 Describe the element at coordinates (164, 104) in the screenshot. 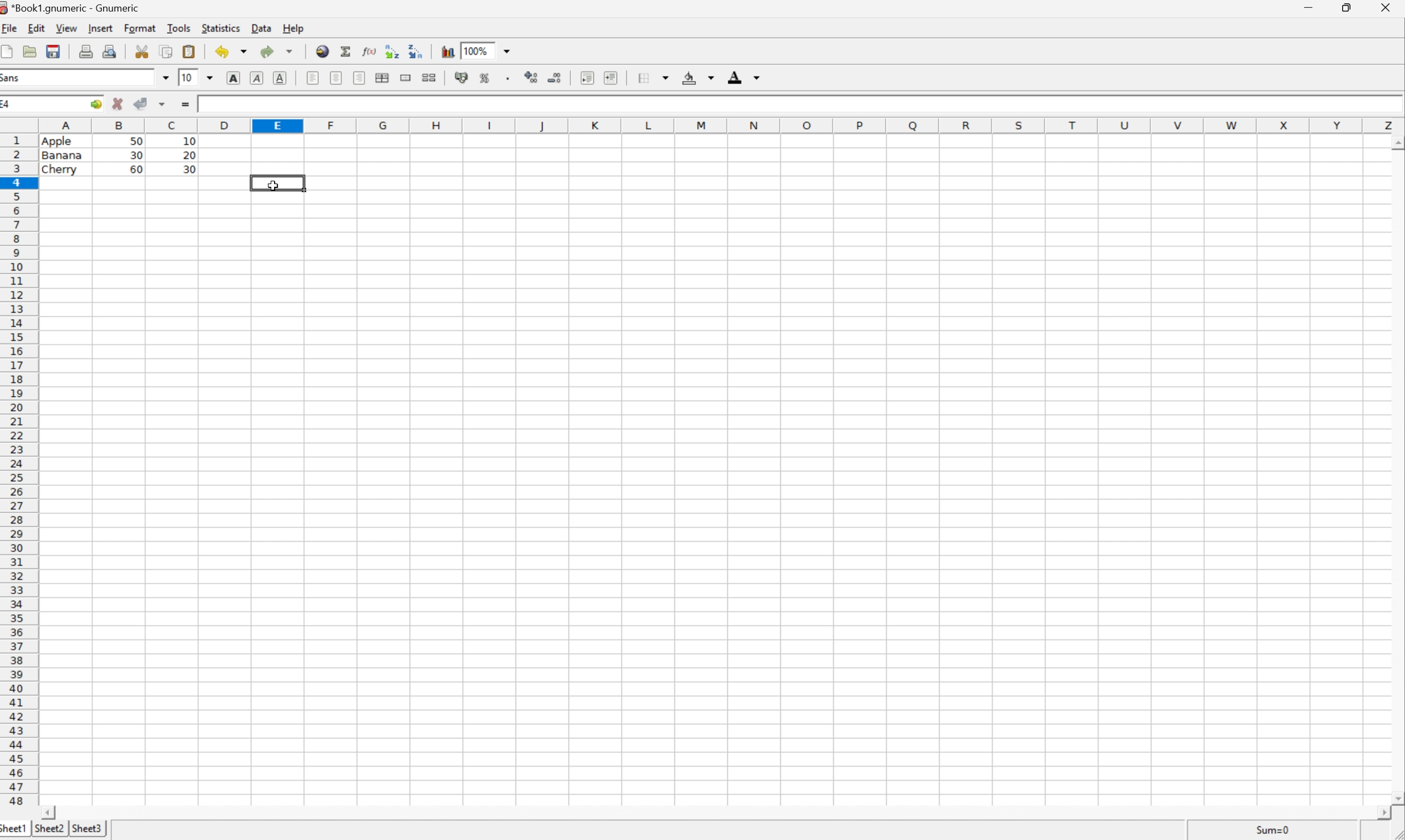

I see `accept changes across selection` at that location.